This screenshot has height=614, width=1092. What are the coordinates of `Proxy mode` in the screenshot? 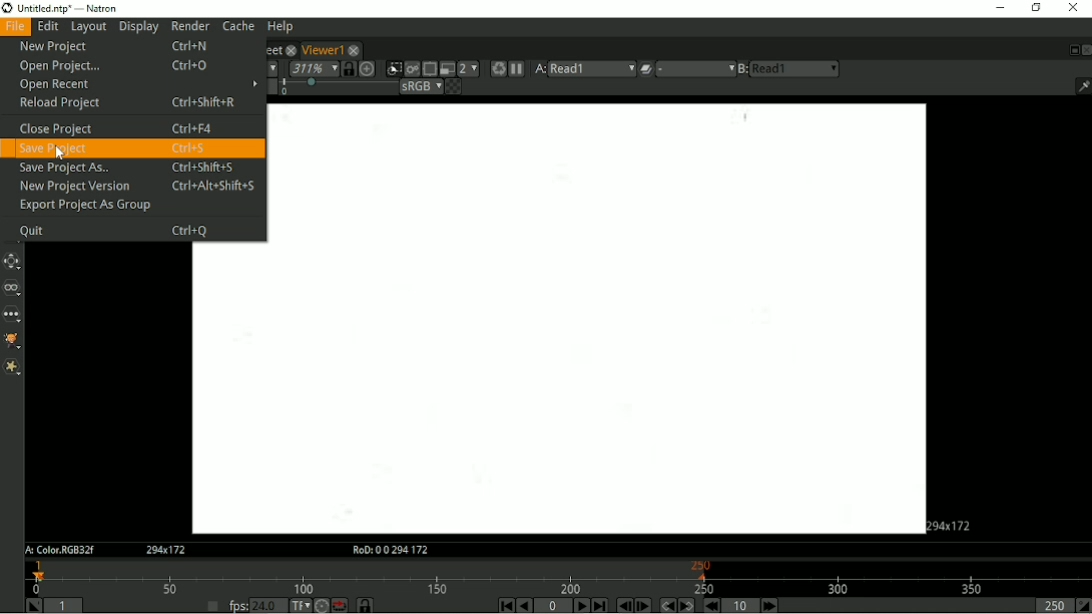 It's located at (447, 69).